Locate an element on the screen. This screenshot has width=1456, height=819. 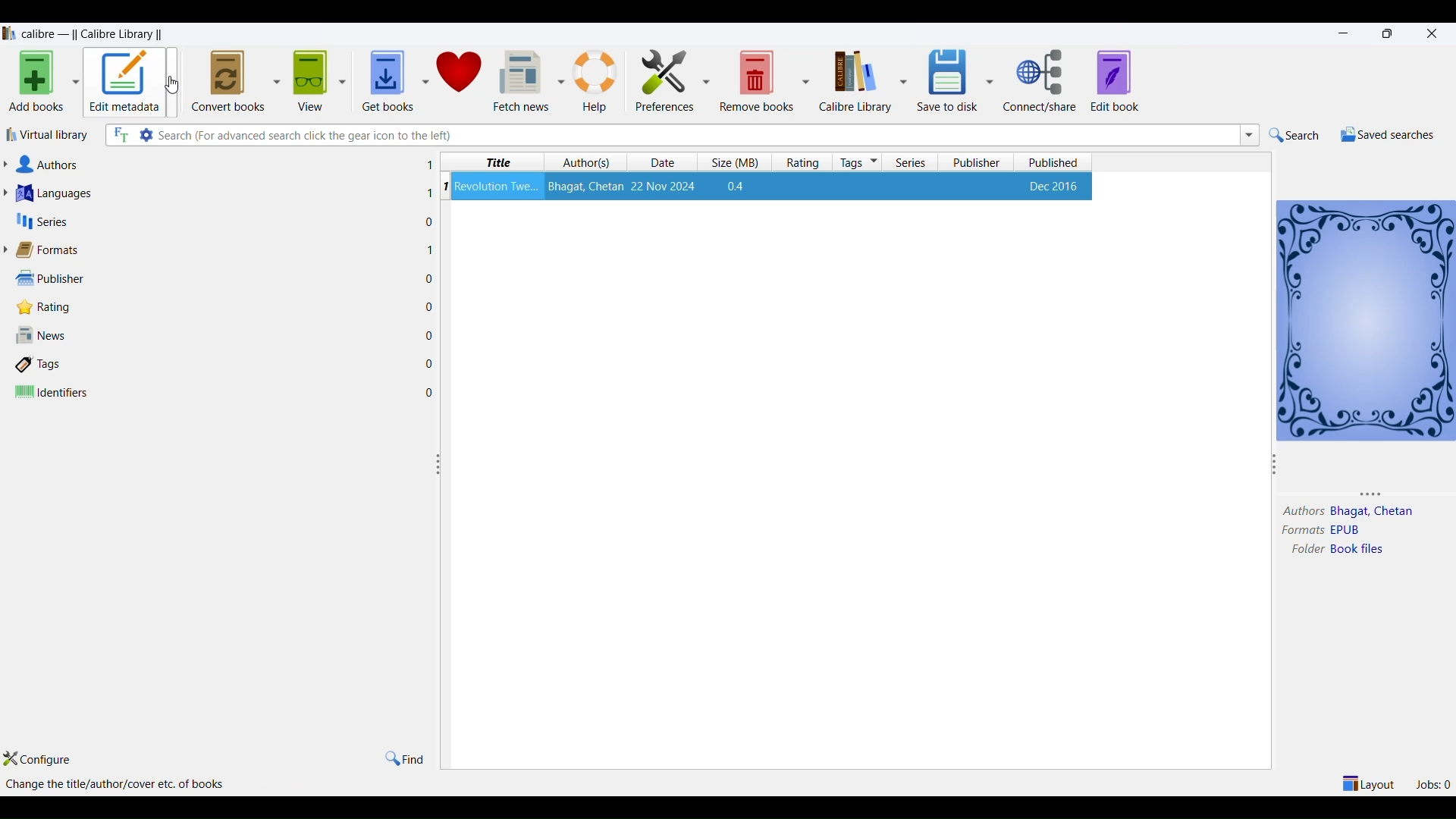
tags is located at coordinates (858, 162).